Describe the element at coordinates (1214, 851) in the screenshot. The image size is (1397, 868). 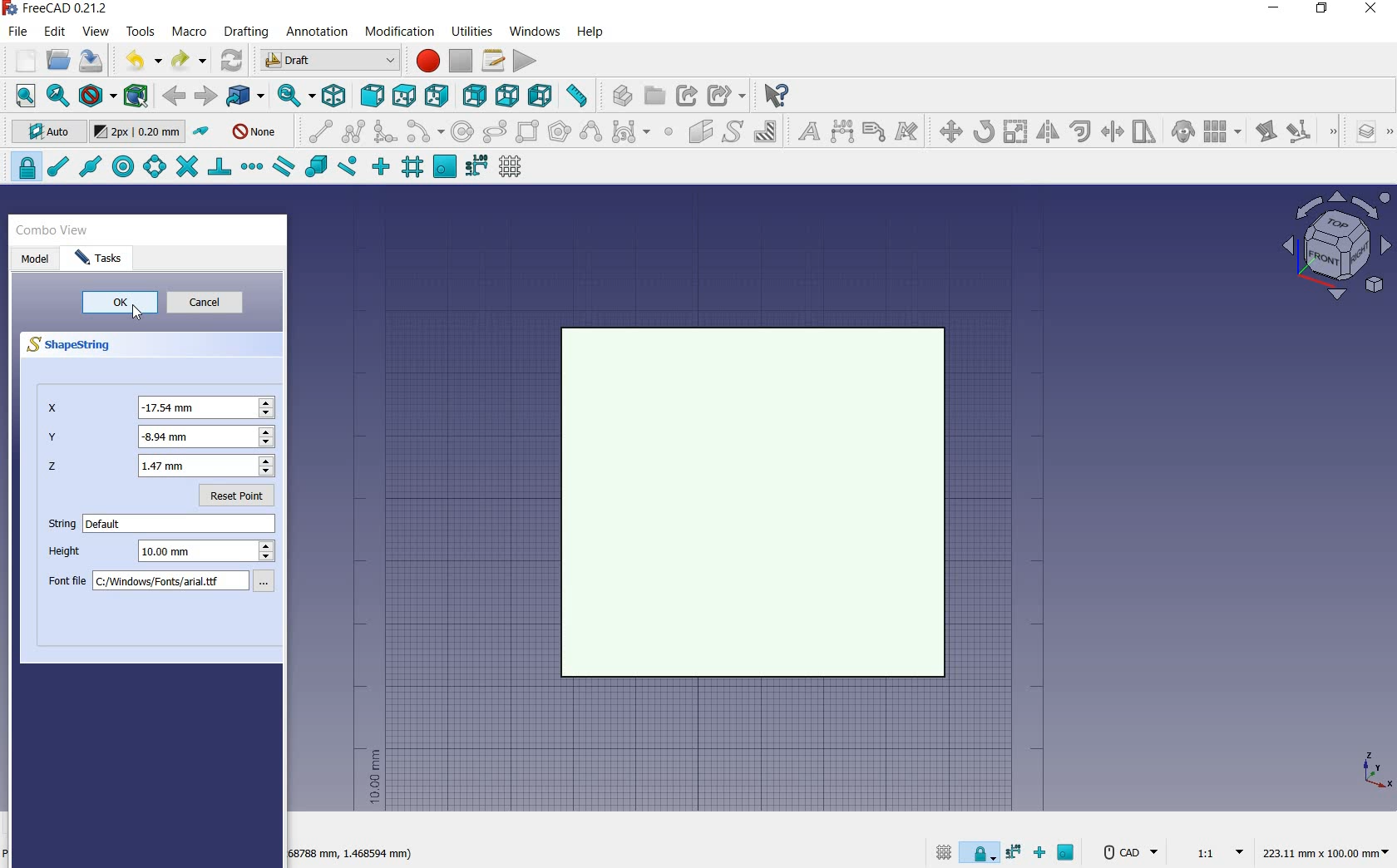
I see `set scale` at that location.